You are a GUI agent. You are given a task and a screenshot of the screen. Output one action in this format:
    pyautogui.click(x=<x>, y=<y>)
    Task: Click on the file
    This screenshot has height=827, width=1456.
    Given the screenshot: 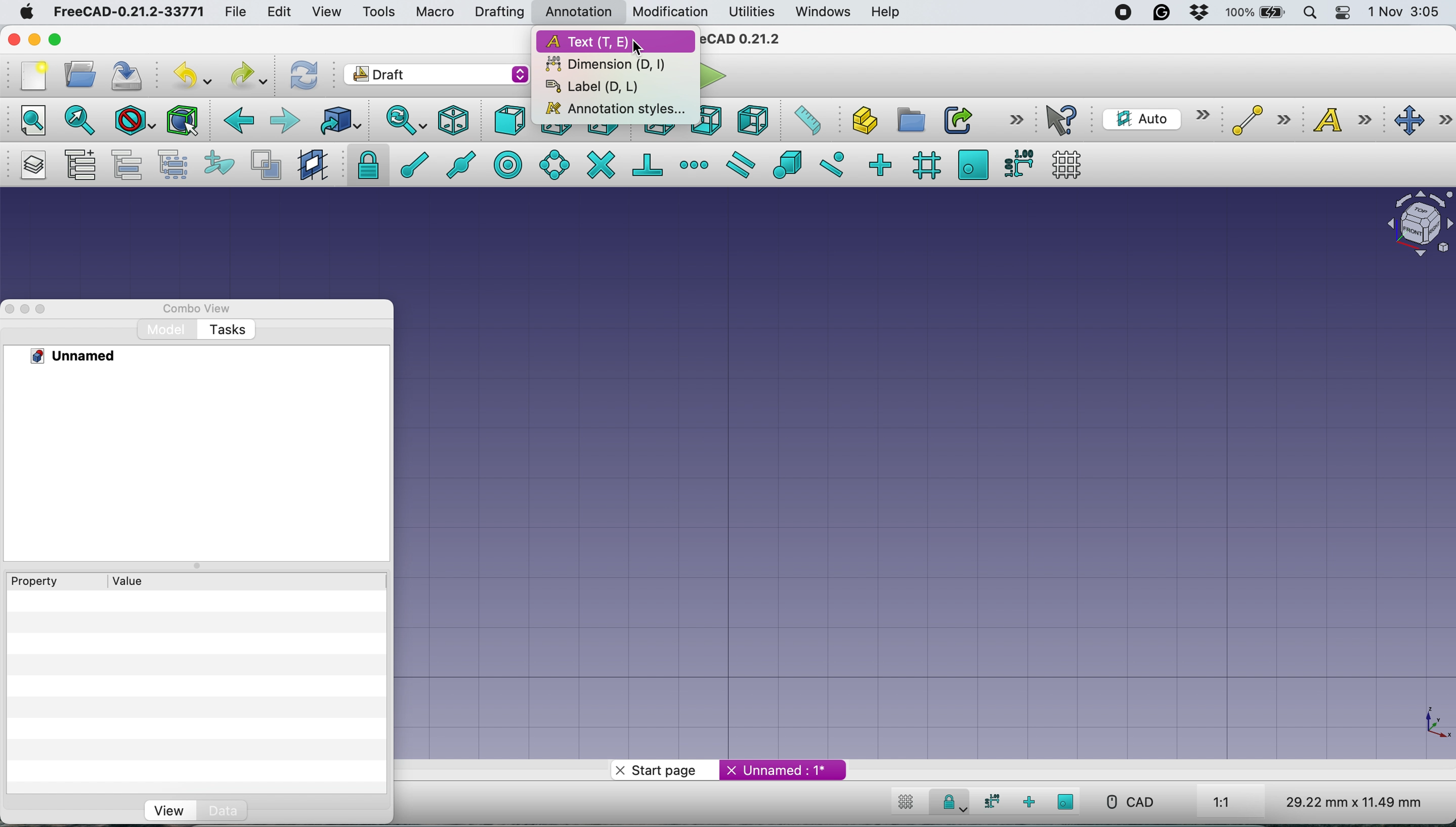 What is the action you would take?
    pyautogui.click(x=236, y=13)
    